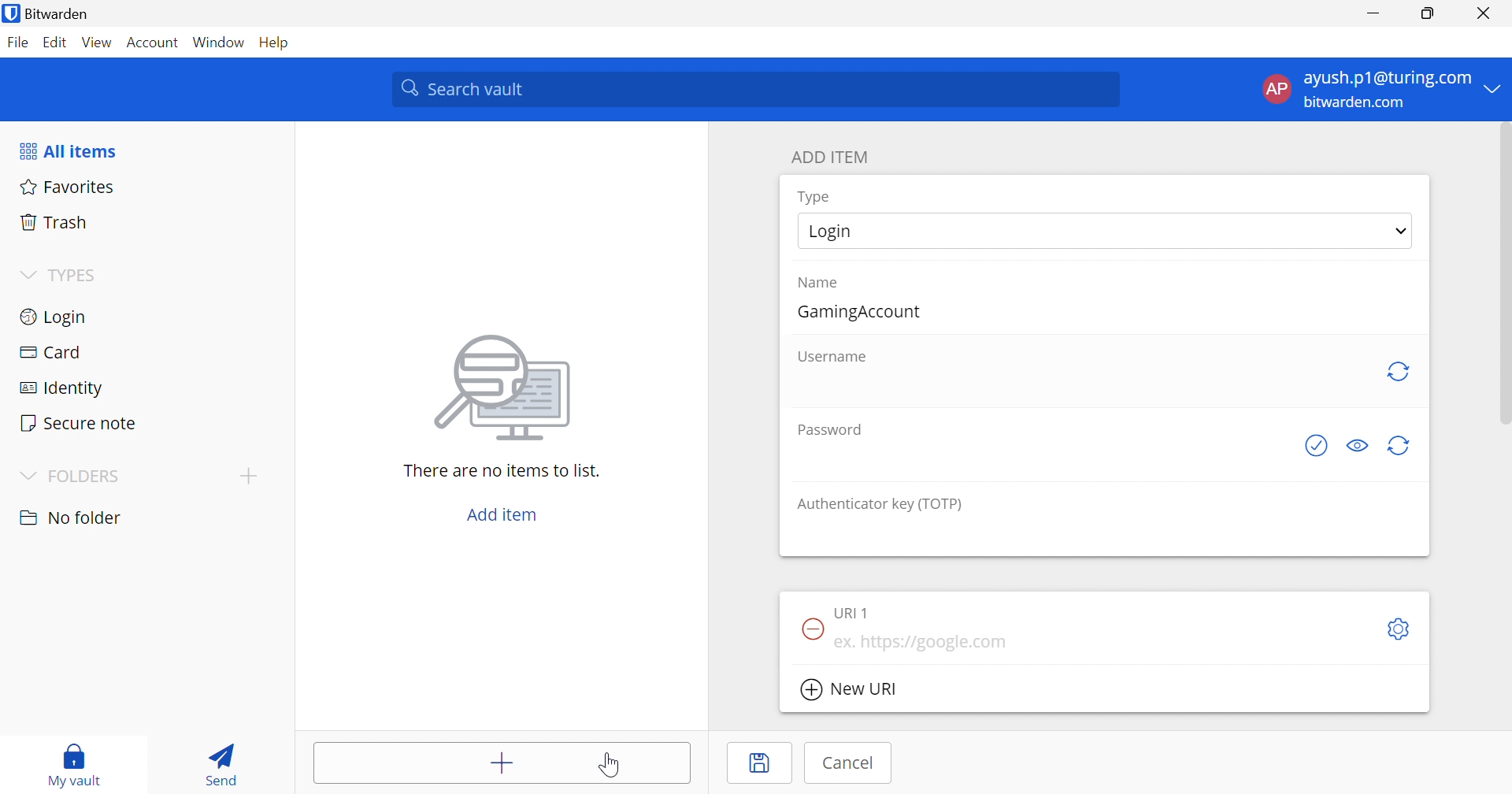  Describe the element at coordinates (1503, 279) in the screenshot. I see `scrollbar` at that location.